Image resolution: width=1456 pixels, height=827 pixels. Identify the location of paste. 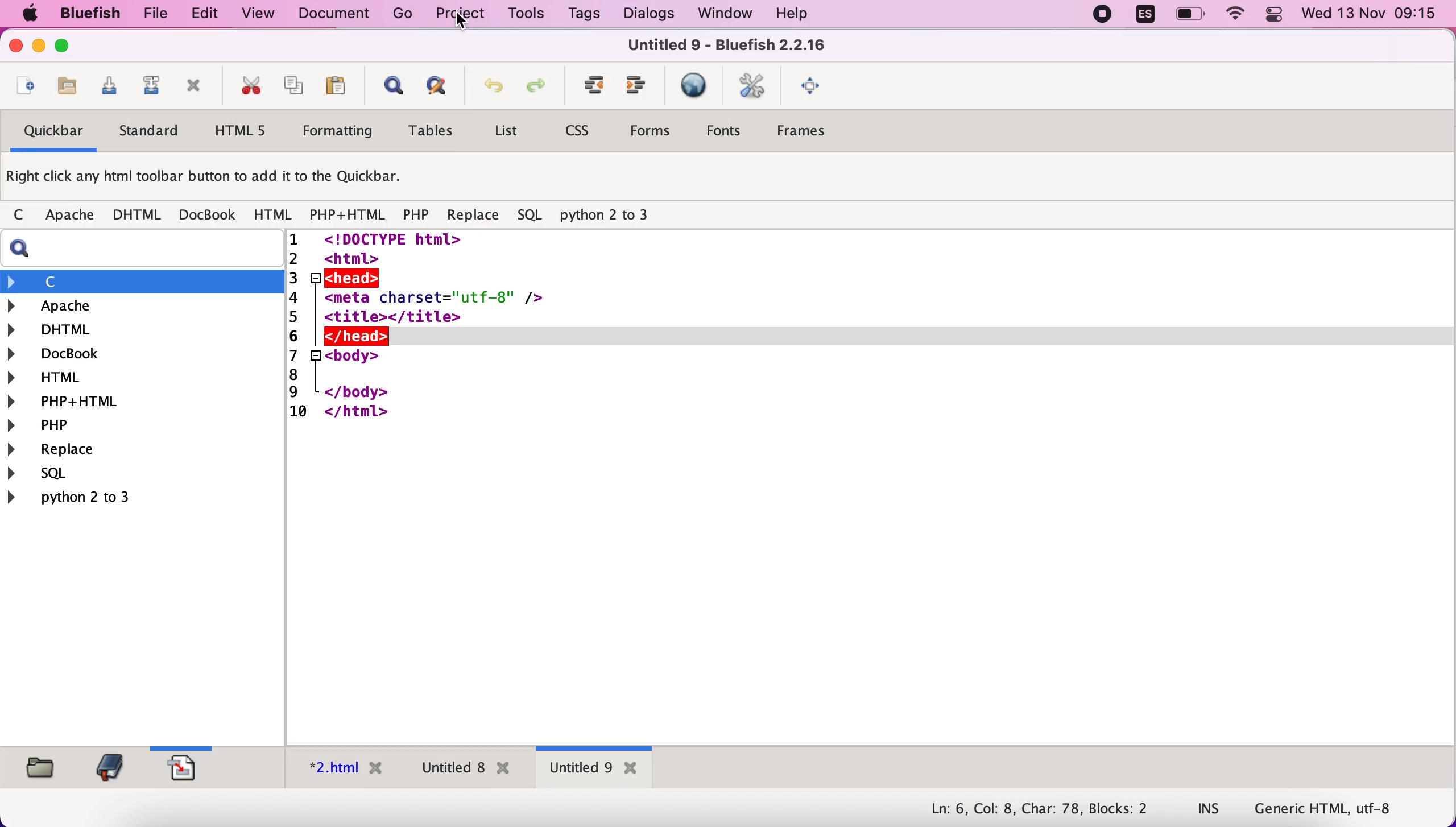
(334, 88).